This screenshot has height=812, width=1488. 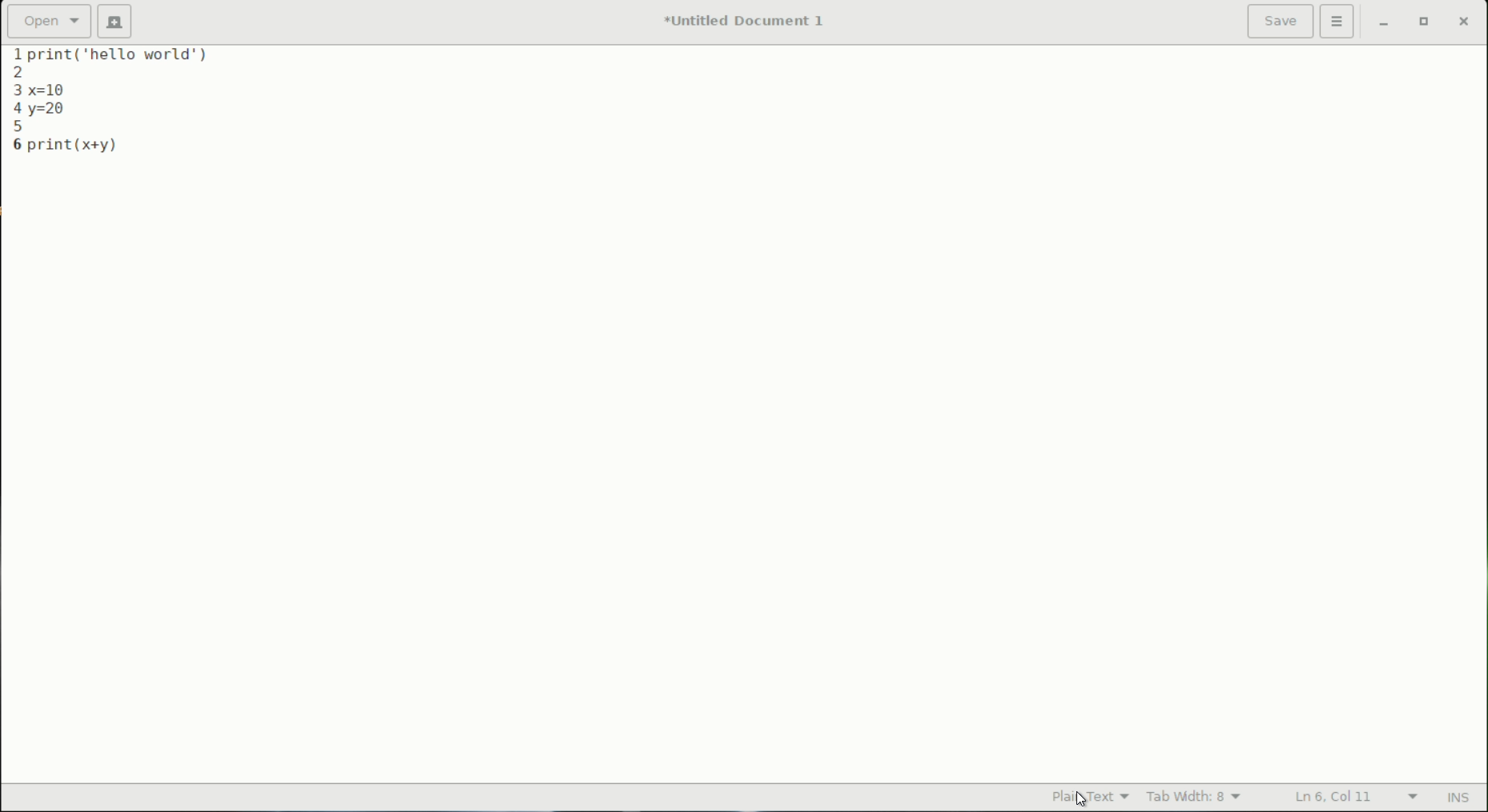 I want to click on cursor position, so click(x=1336, y=798).